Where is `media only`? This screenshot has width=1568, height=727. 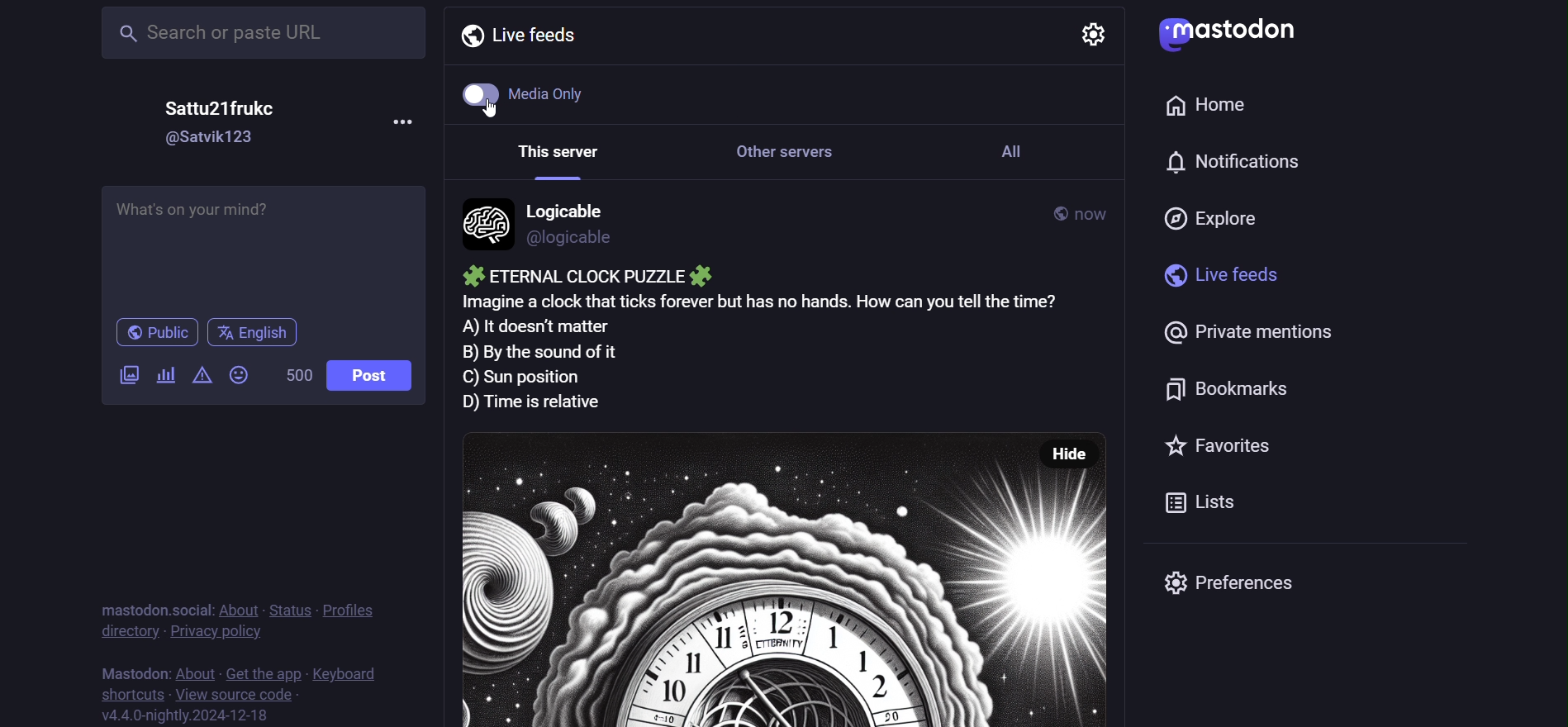 media only is located at coordinates (535, 93).